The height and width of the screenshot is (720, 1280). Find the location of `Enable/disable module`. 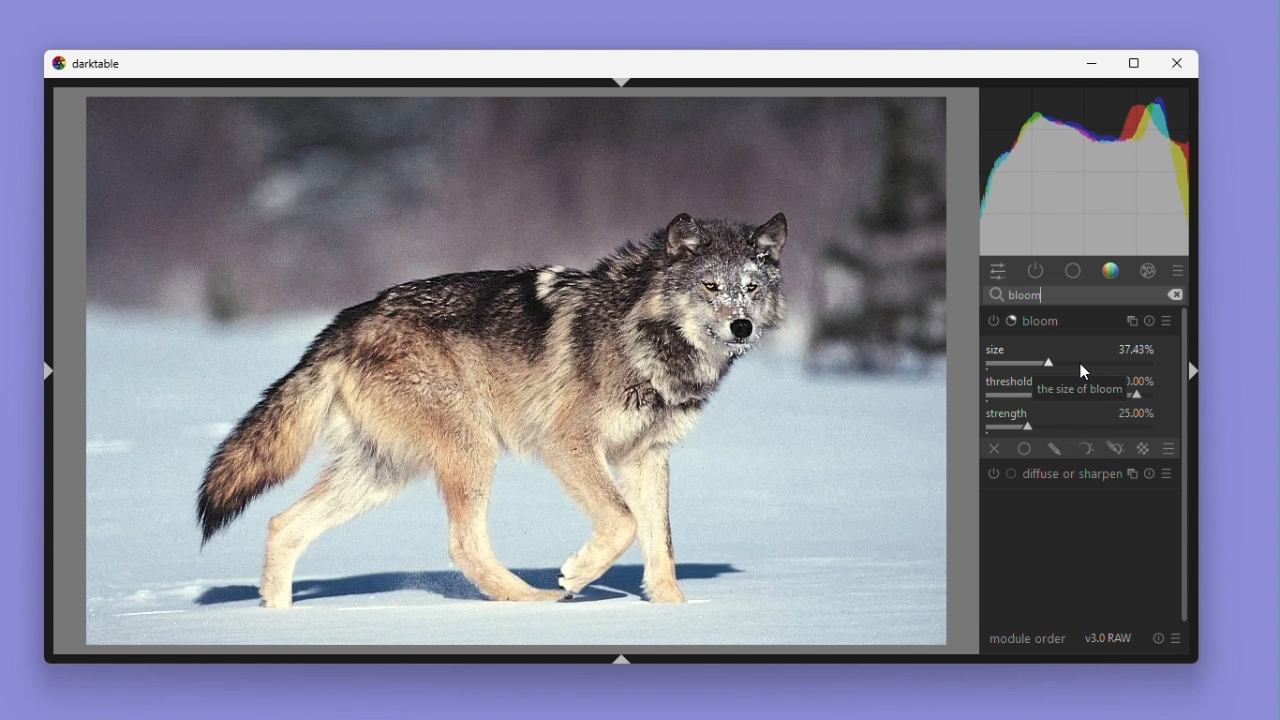

Enable/disable module is located at coordinates (993, 475).